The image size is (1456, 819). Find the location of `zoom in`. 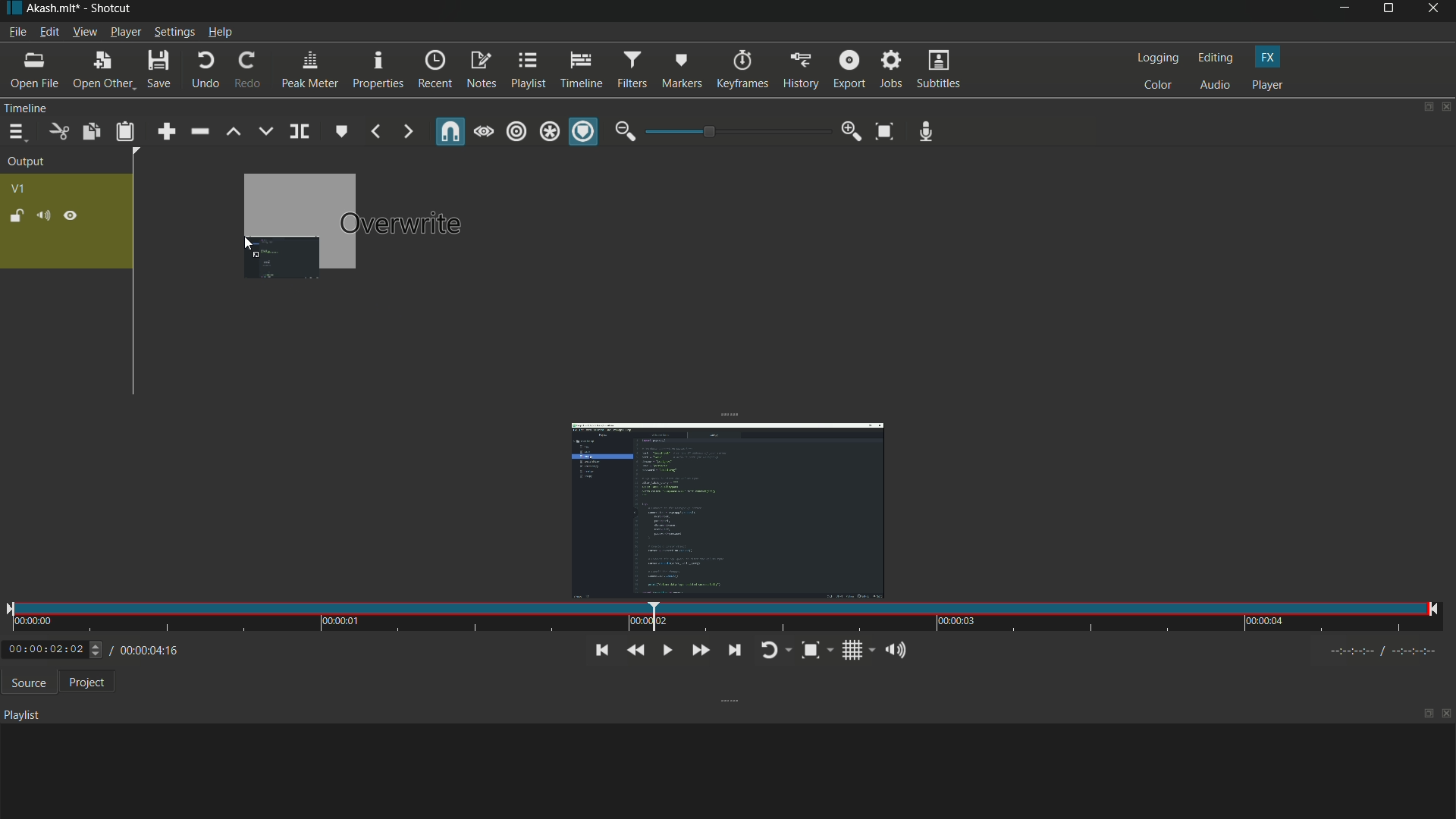

zoom in is located at coordinates (852, 131).